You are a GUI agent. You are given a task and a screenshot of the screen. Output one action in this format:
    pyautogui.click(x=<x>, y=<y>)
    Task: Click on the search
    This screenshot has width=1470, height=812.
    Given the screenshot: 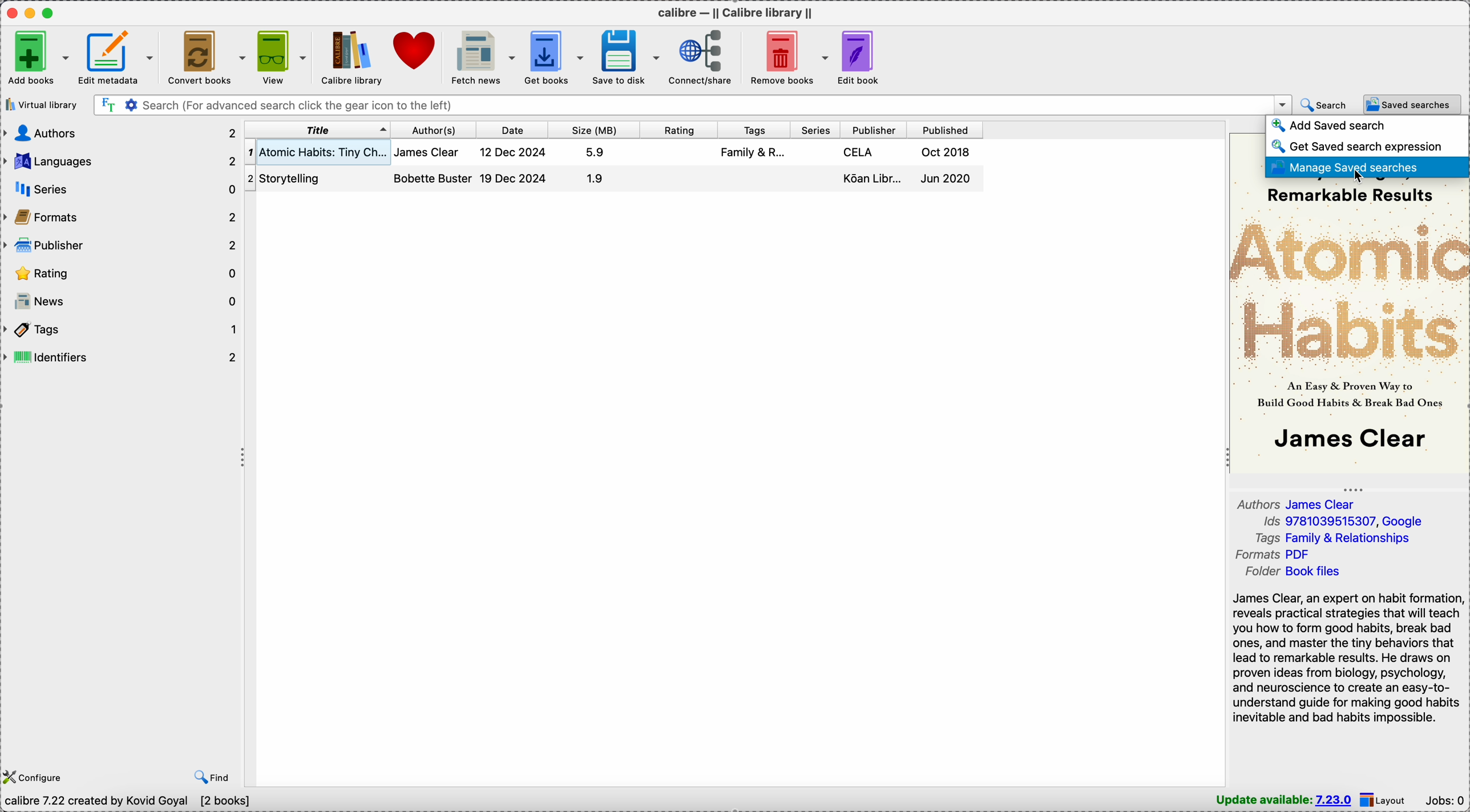 What is the action you would take?
    pyautogui.click(x=1324, y=106)
    